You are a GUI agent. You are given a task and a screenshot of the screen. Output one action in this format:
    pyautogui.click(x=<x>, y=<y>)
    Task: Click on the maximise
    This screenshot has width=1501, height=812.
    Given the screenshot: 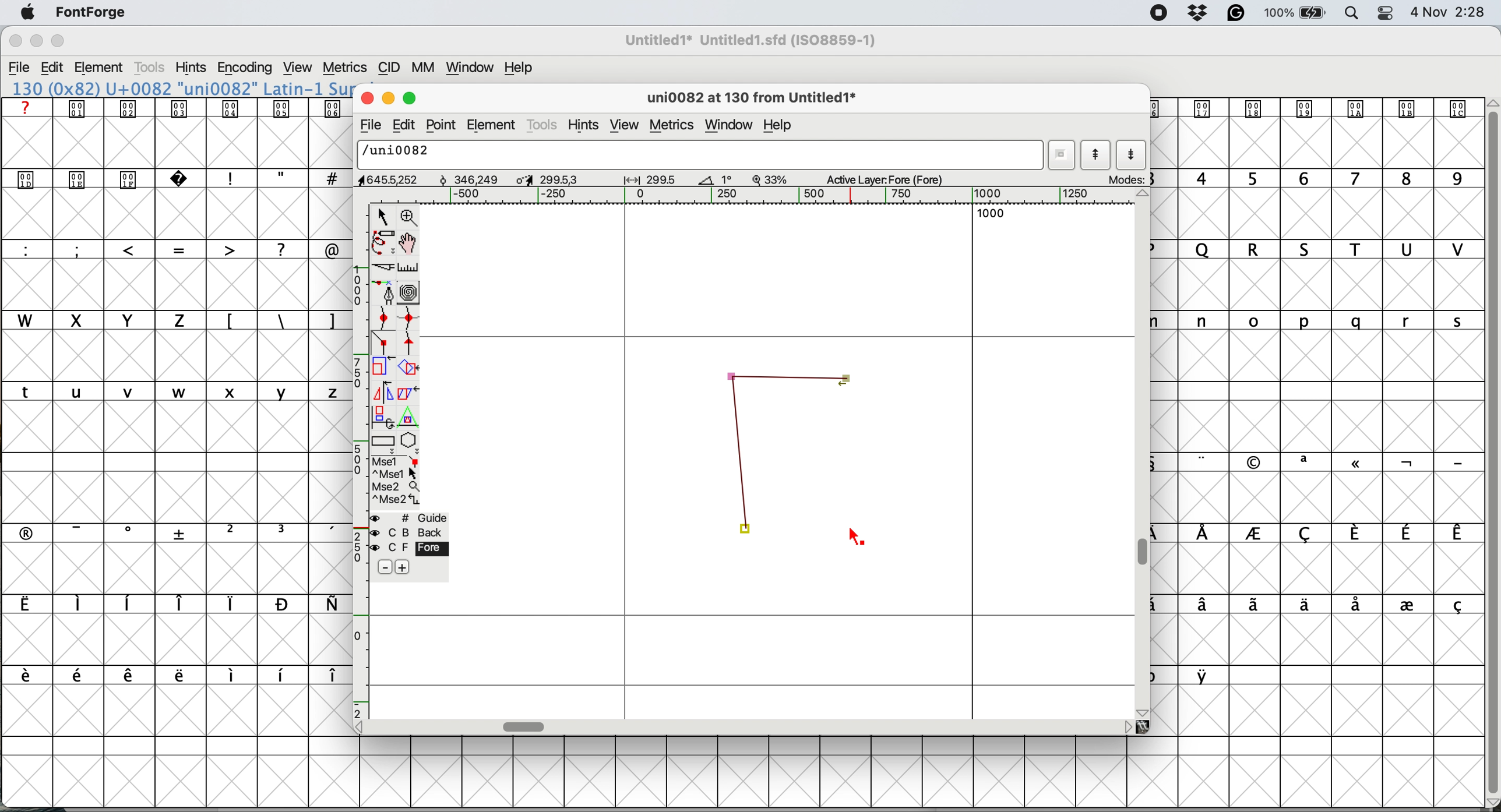 What is the action you would take?
    pyautogui.click(x=412, y=96)
    